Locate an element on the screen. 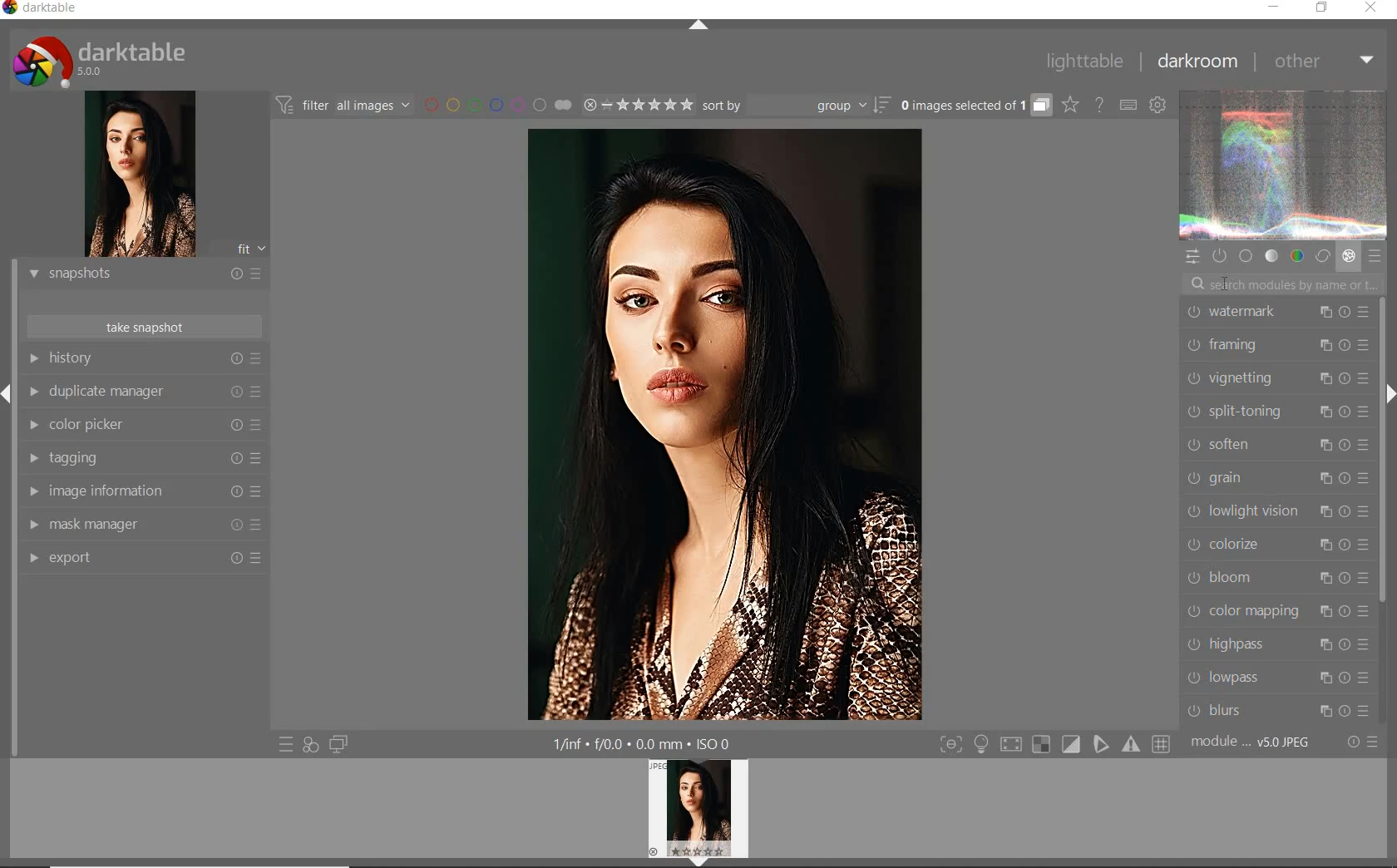 The image size is (1397, 868). IMAGE INFORMATION is located at coordinates (141, 490).